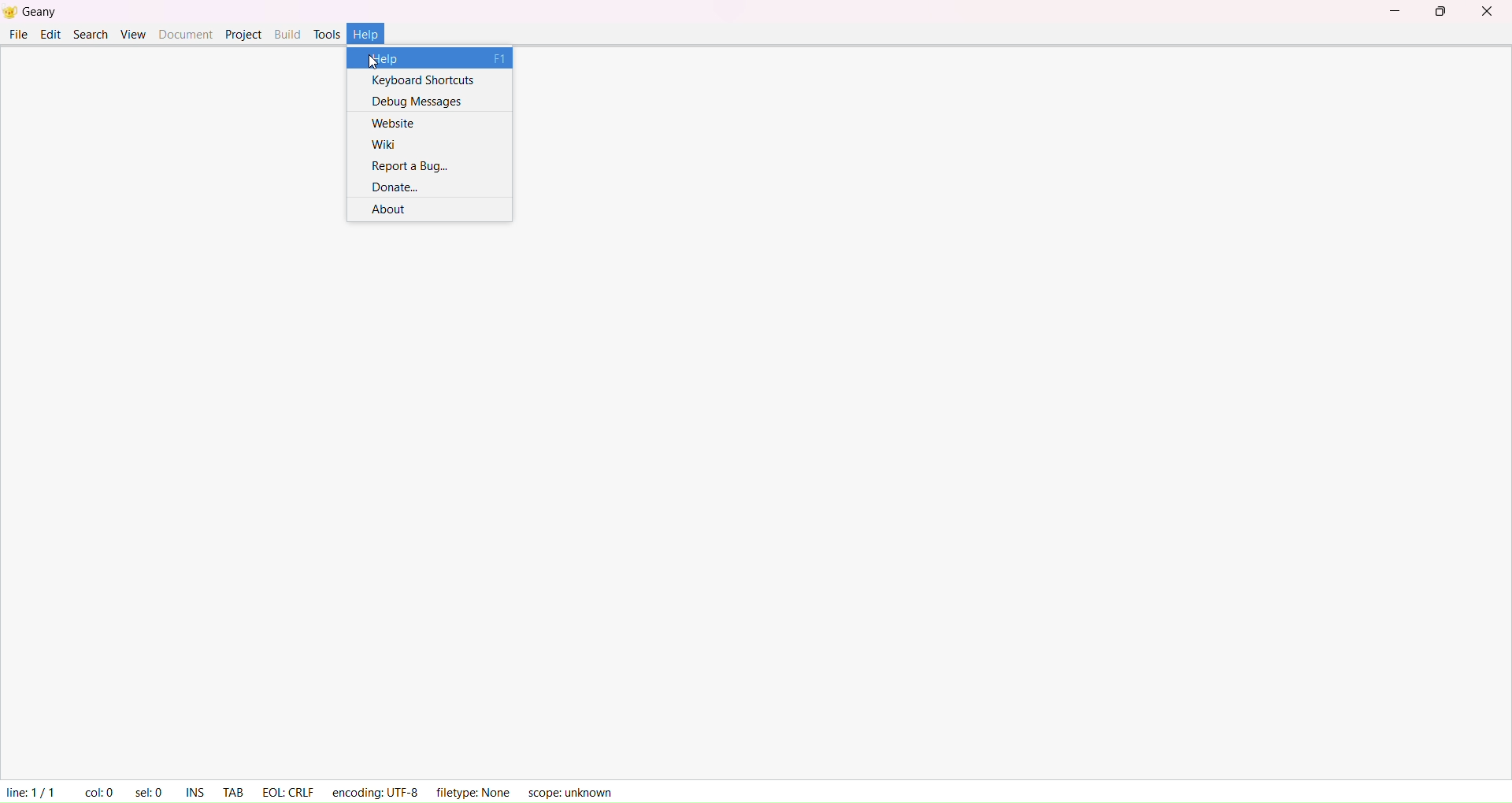 This screenshot has width=1512, height=803. What do you see at coordinates (421, 79) in the screenshot?
I see `keyboard` at bounding box center [421, 79].